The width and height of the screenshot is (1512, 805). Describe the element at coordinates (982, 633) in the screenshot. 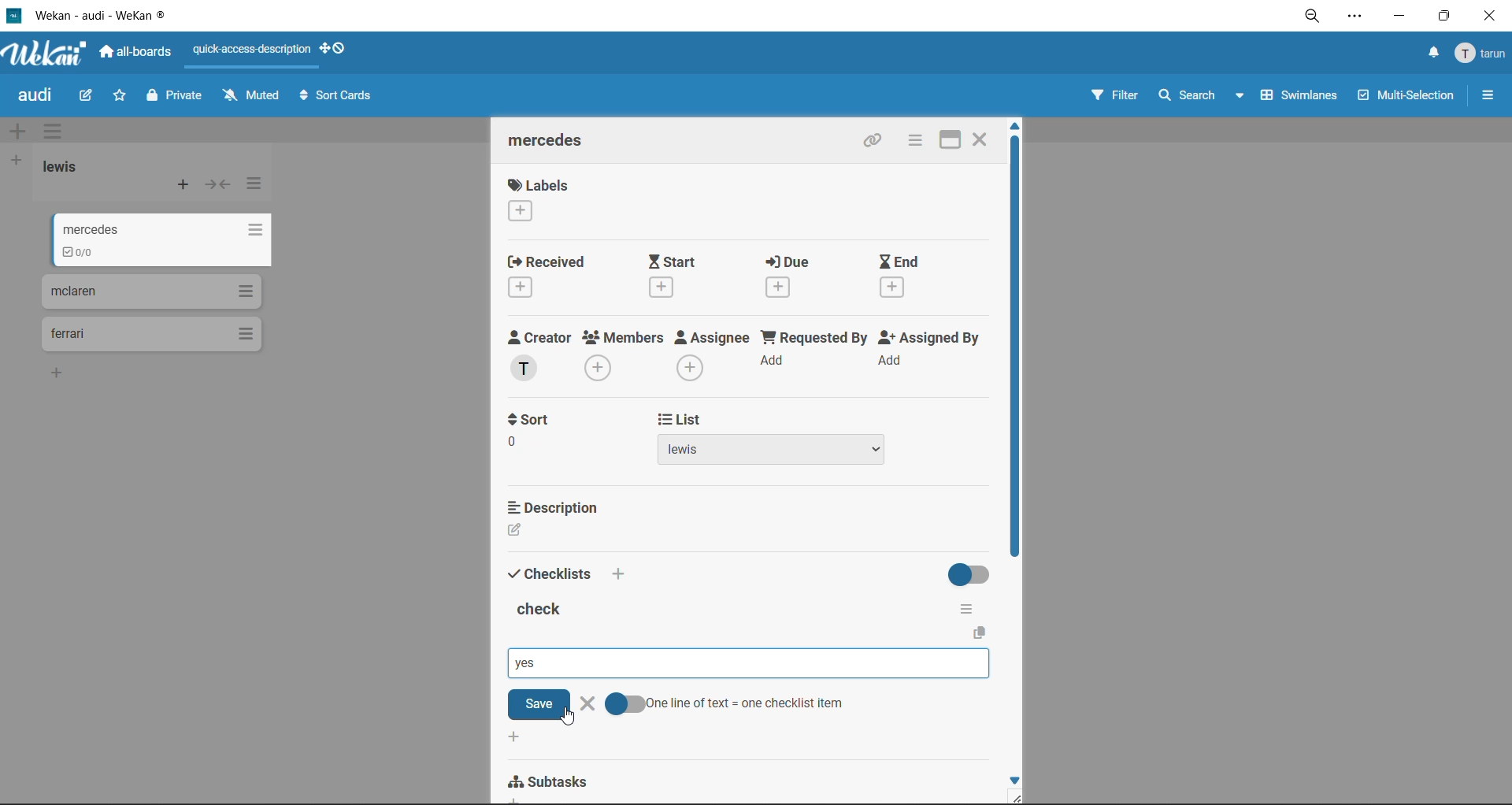

I see `copy` at that location.